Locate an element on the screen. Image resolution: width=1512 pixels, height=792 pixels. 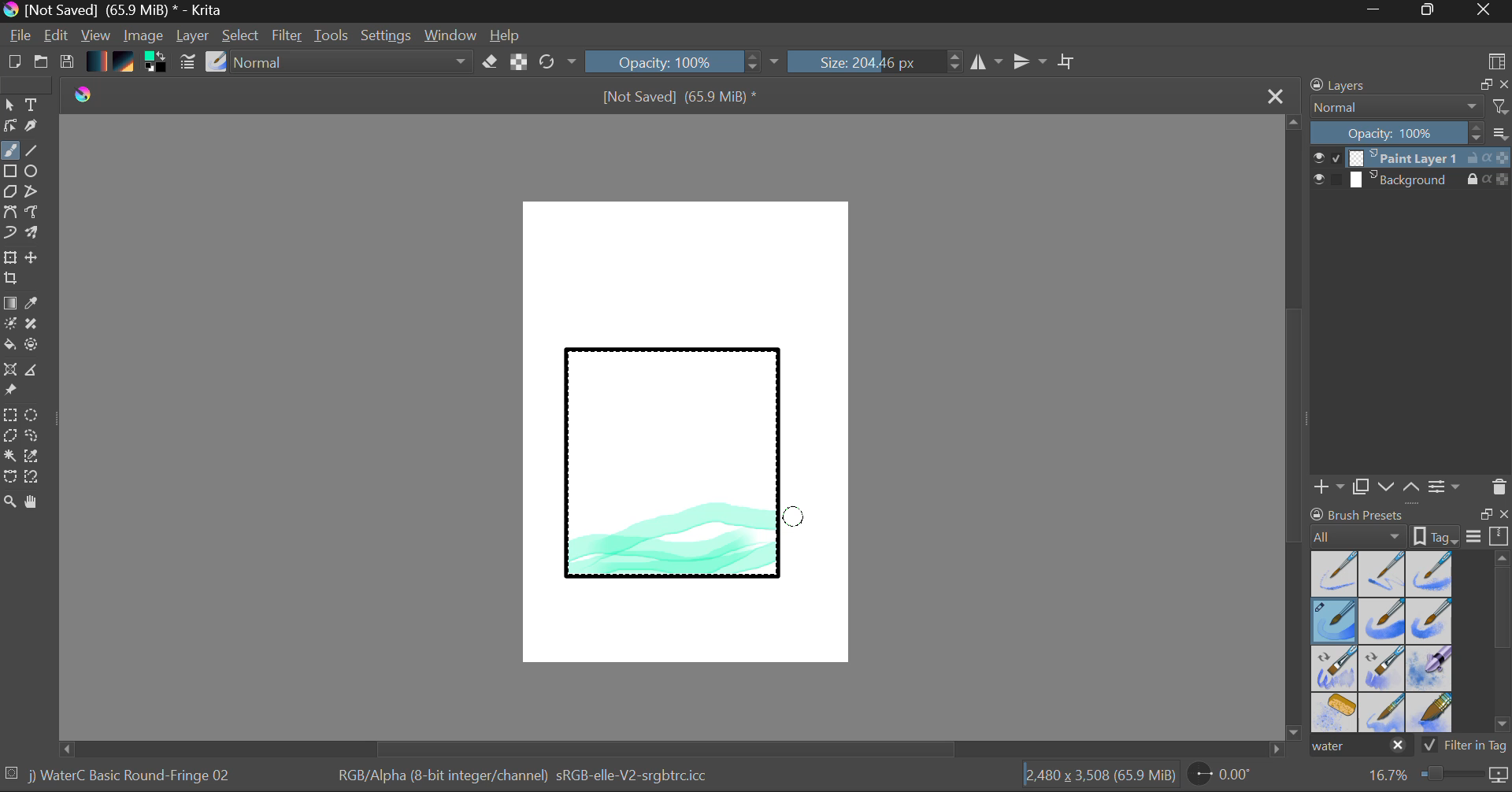
Brush presets docket is located at coordinates (1410, 525).